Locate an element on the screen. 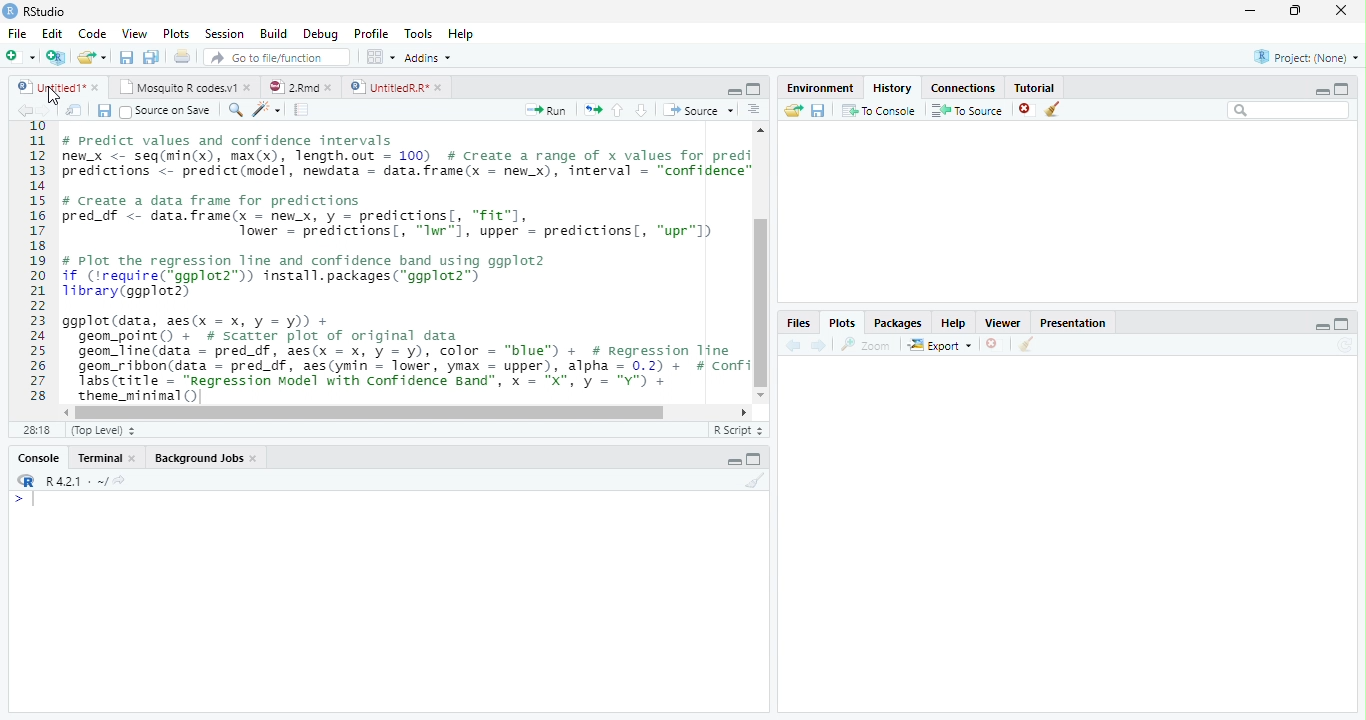  minimize is located at coordinates (734, 93).